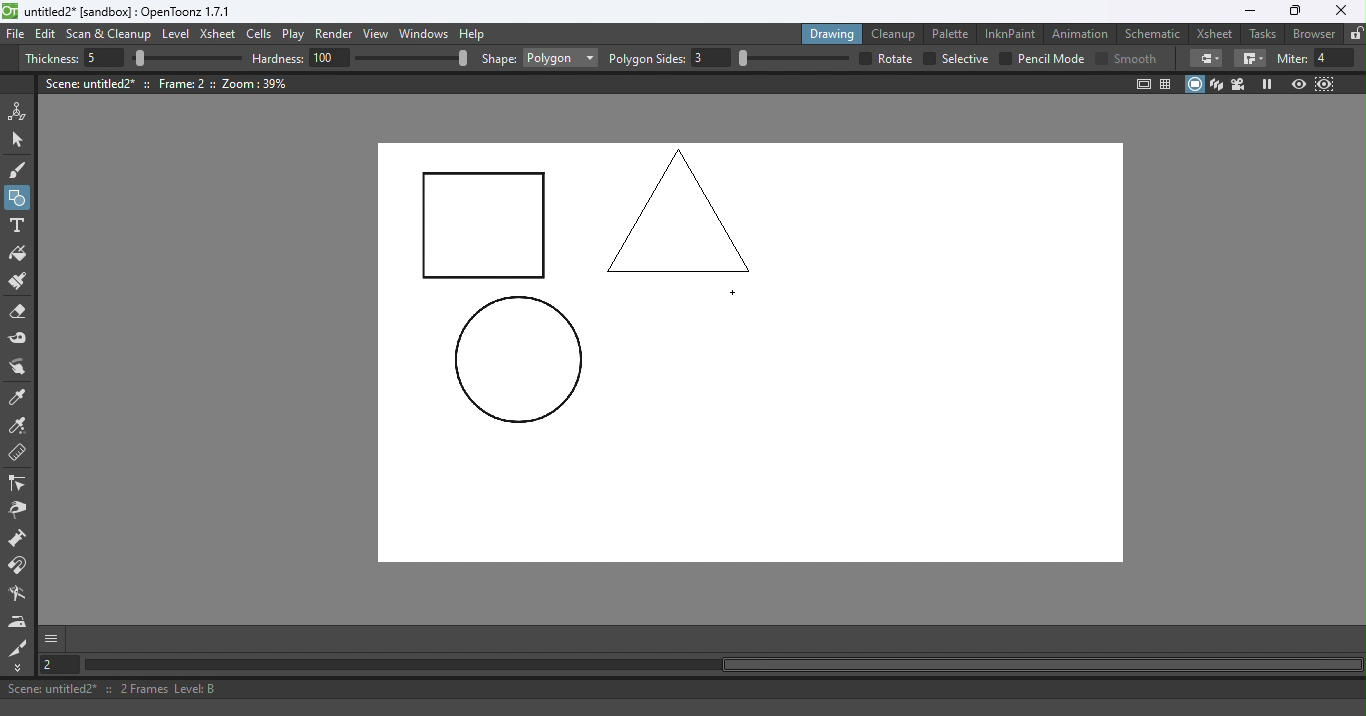 This screenshot has height=716, width=1366. What do you see at coordinates (51, 59) in the screenshot?
I see `Thickness` at bounding box center [51, 59].